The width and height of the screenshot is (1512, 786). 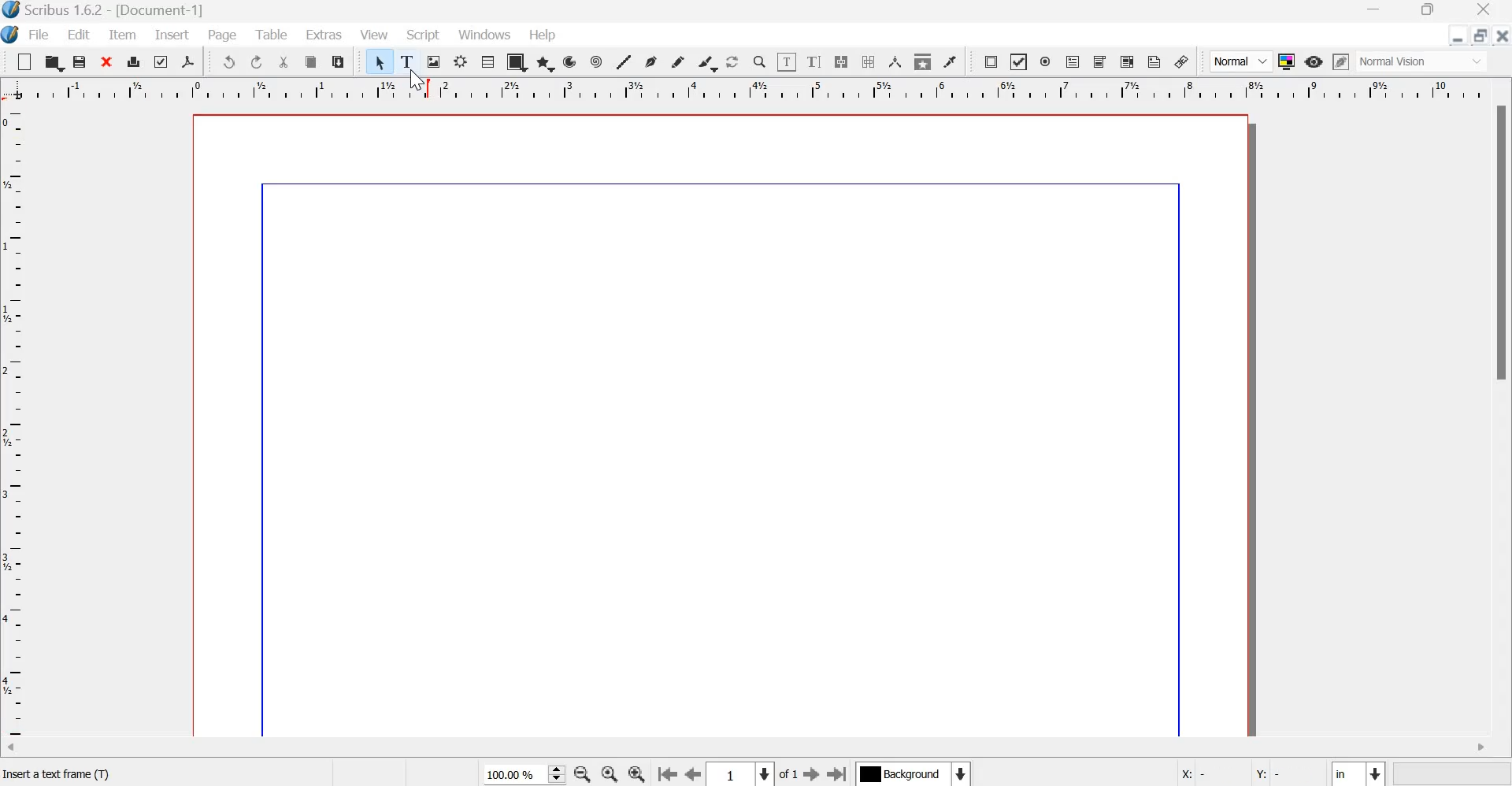 What do you see at coordinates (158, 61) in the screenshot?
I see `preflight verifier` at bounding box center [158, 61].